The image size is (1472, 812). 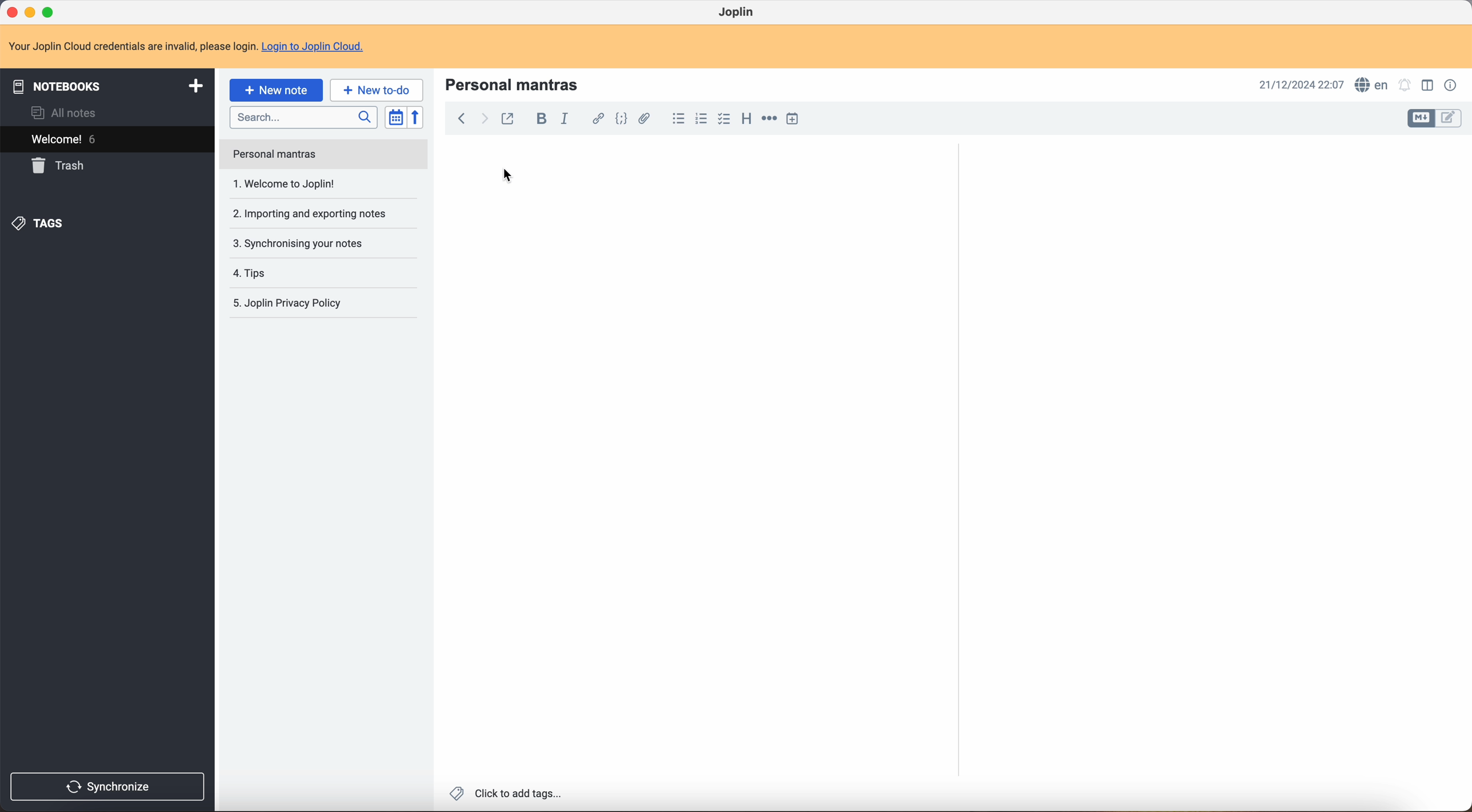 I want to click on checkbox, so click(x=724, y=119).